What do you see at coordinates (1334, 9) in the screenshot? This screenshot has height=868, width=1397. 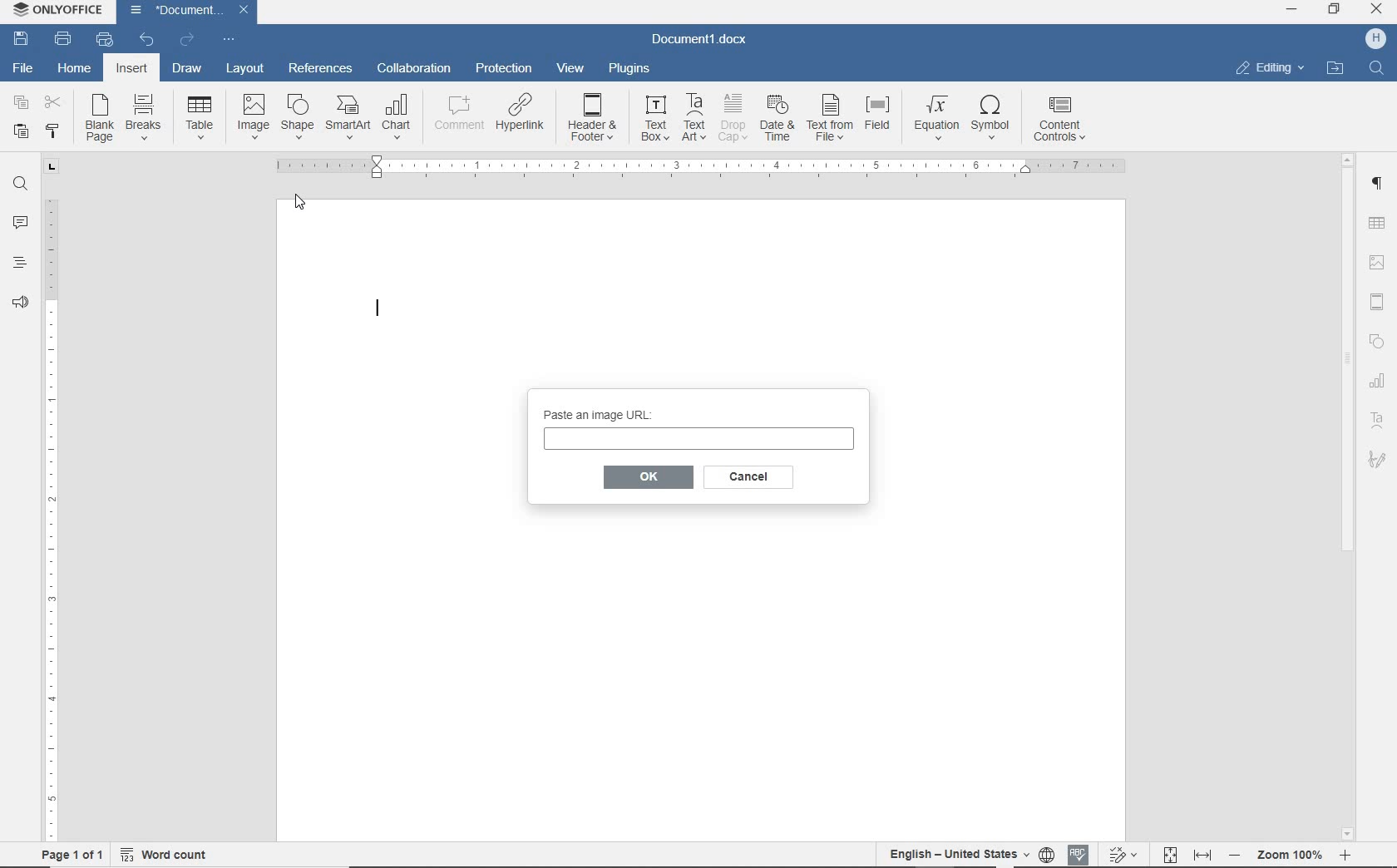 I see `restore ` at bounding box center [1334, 9].